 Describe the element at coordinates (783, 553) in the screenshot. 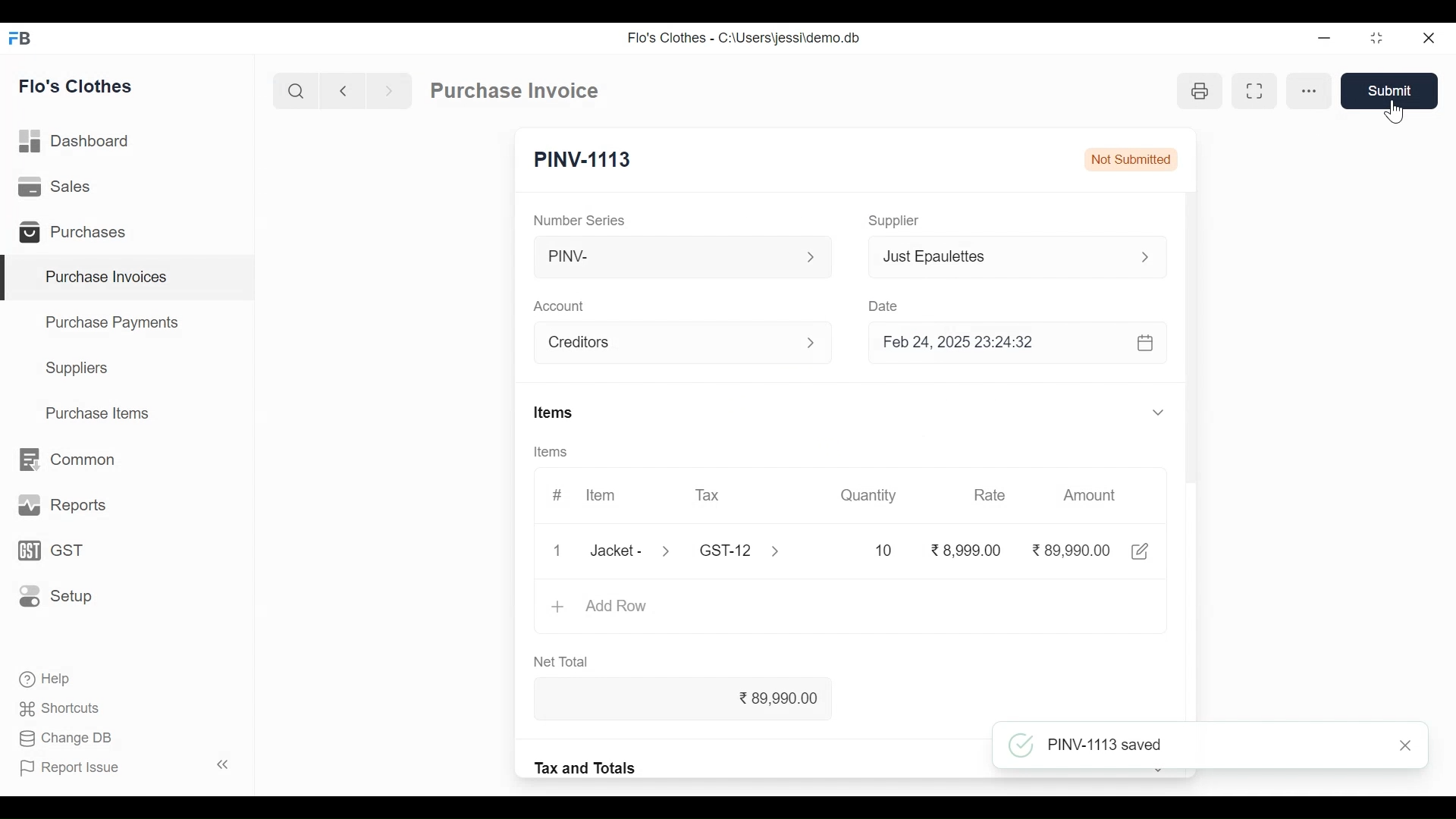

I see `Expand` at that location.